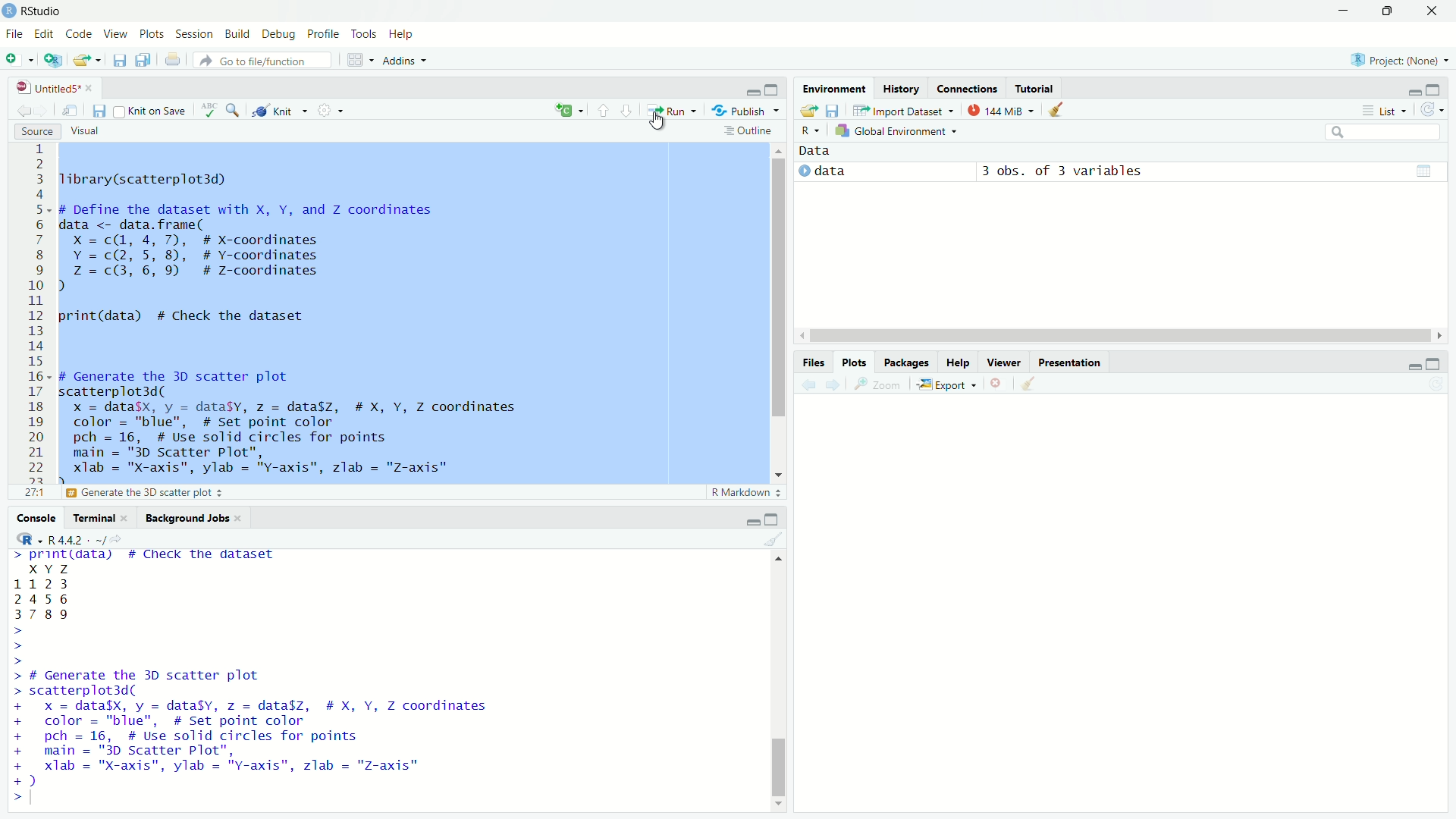  Describe the element at coordinates (189, 493) in the screenshot. I see `Define the dataset with X, Y, and Z coordinates` at that location.